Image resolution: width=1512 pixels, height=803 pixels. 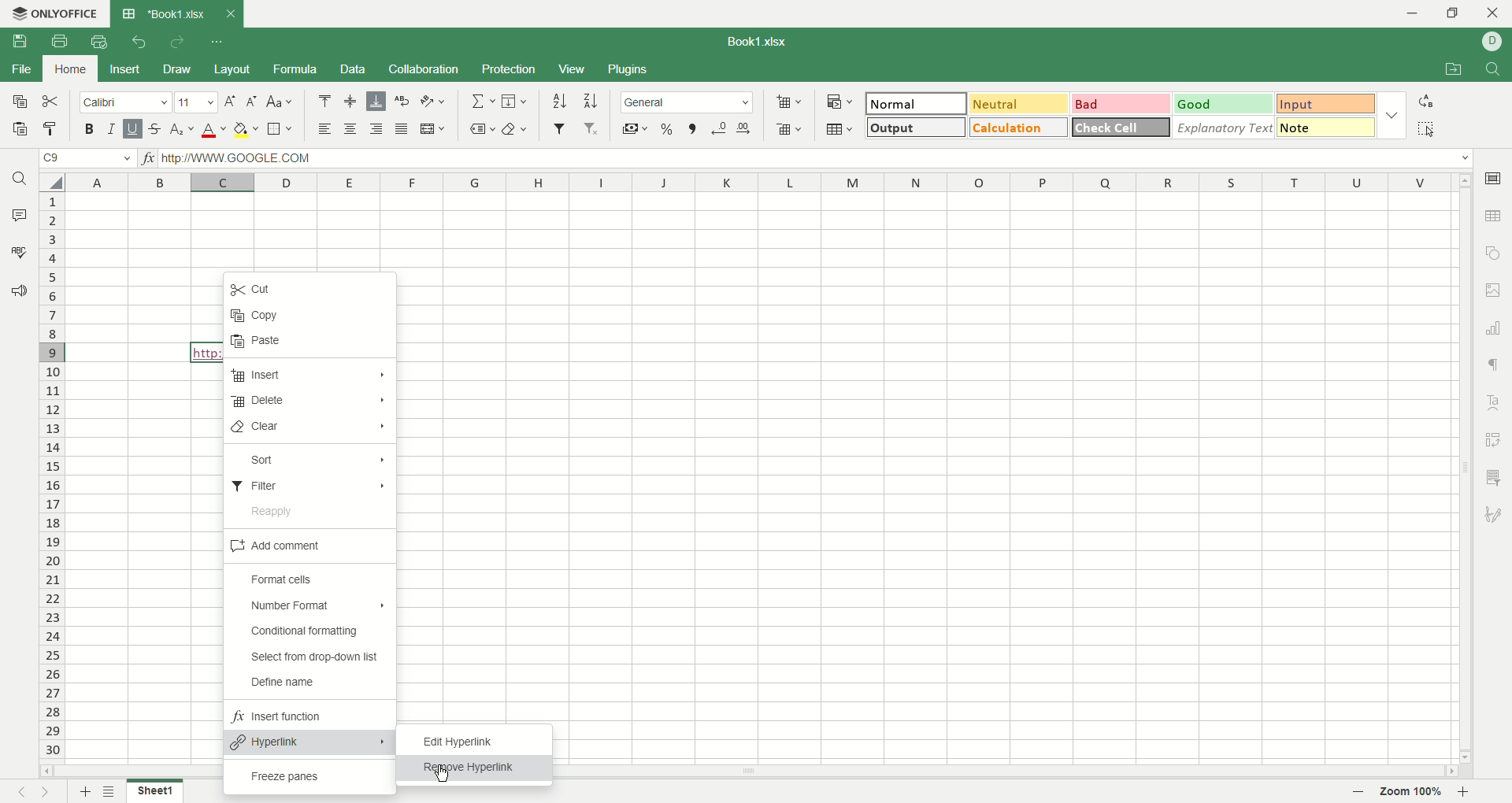 What do you see at coordinates (52, 130) in the screenshot?
I see `copy style` at bounding box center [52, 130].